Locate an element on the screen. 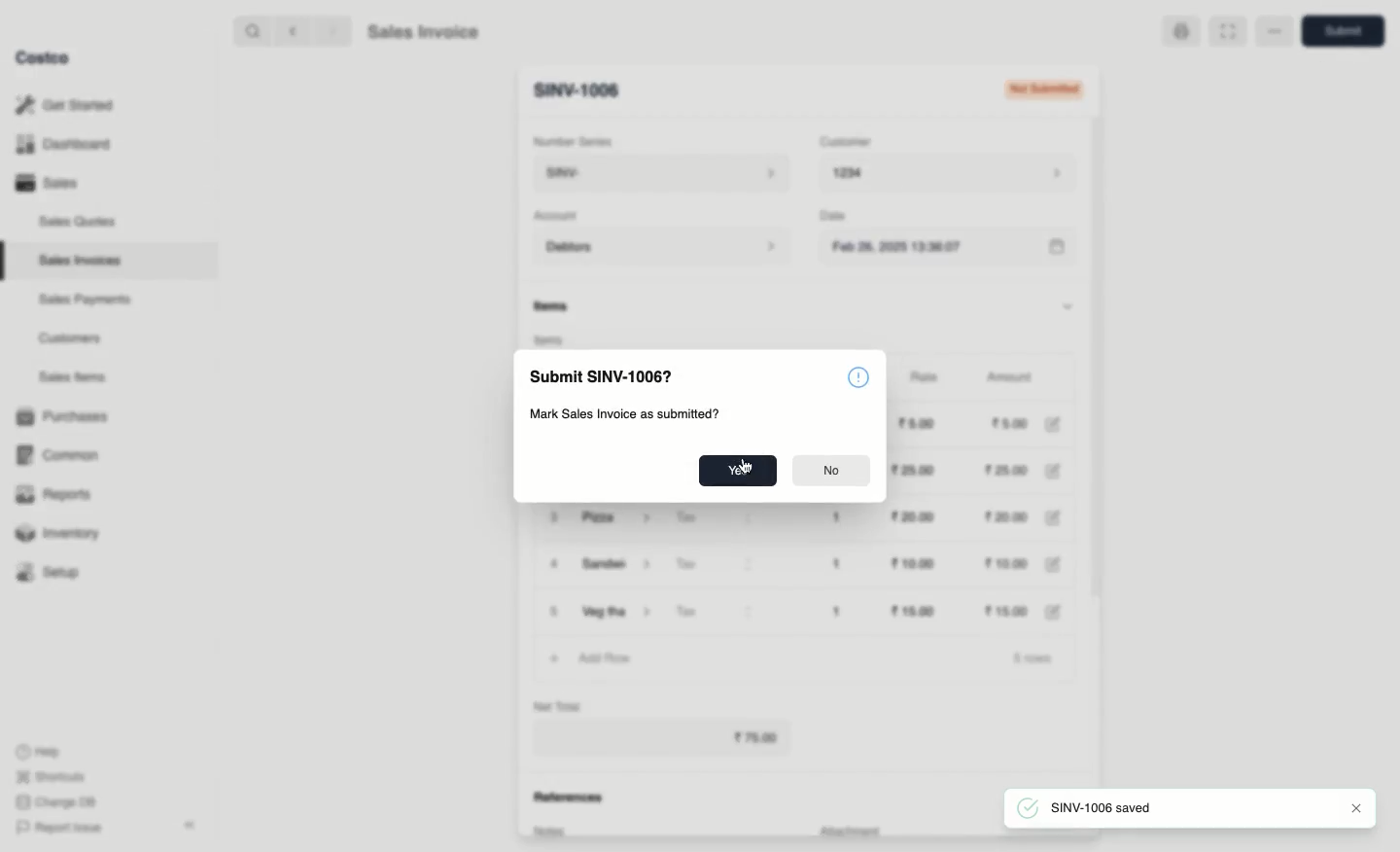 Image resolution: width=1400 pixels, height=852 pixels. Mark Sales Invoice as submitted? is located at coordinates (624, 413).